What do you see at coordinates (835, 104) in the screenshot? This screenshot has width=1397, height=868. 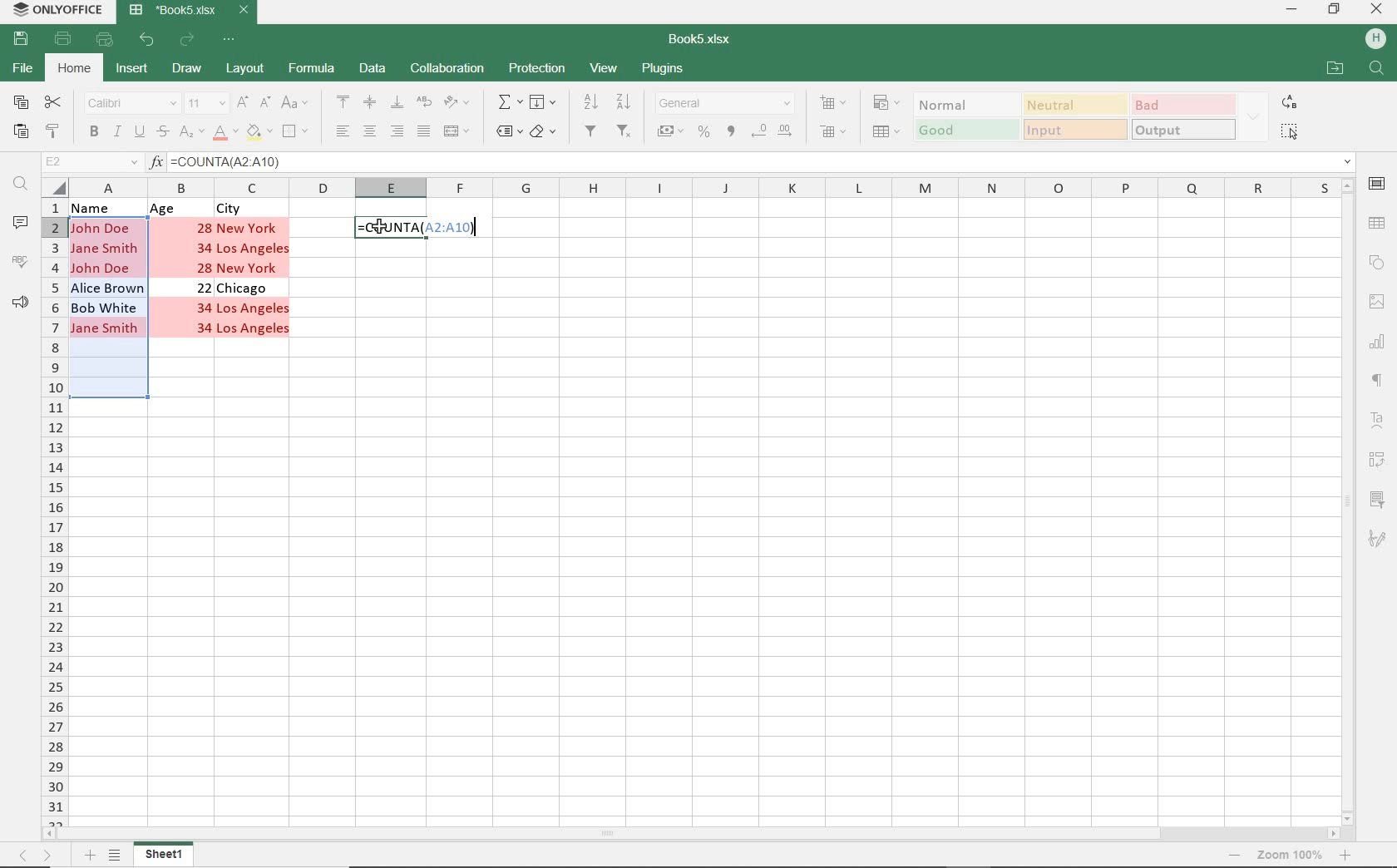 I see `INSERT CELLS` at bounding box center [835, 104].